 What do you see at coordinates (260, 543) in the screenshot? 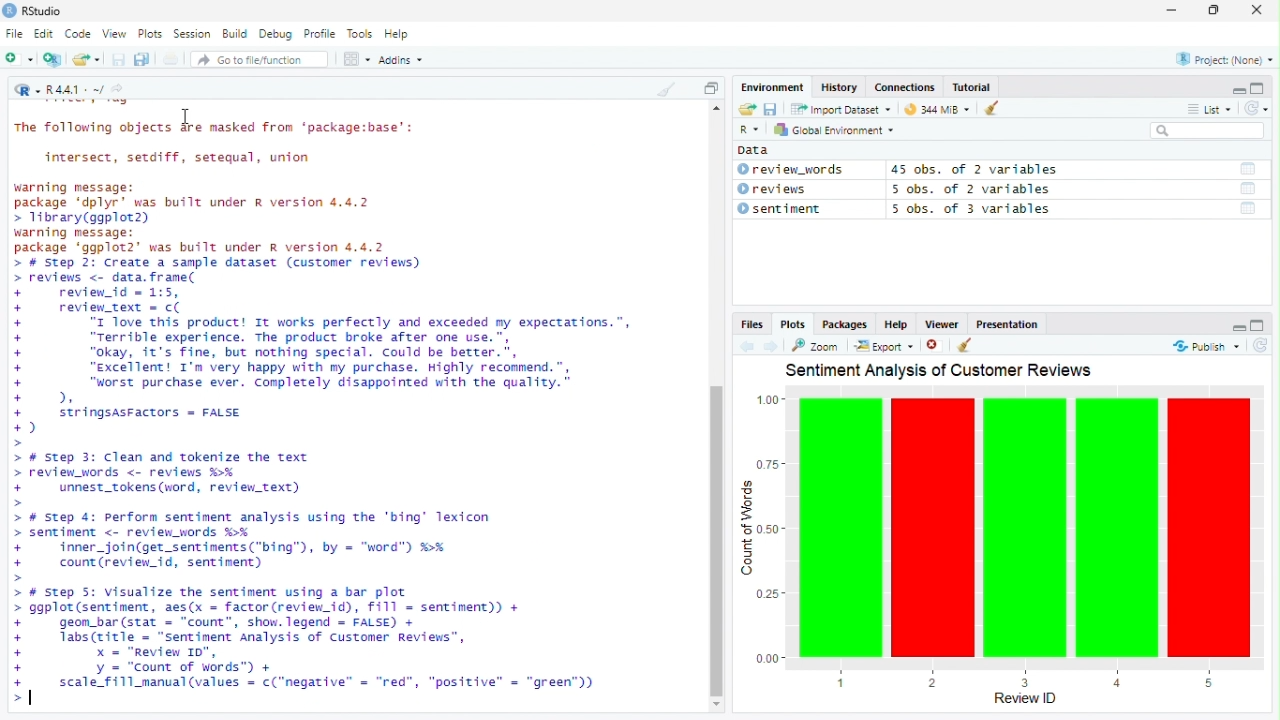
I see `# step 4: perform sentiment analysis using the ‘bing’ lexicon

sentiment <- review words %%
inner_join(get_sentiments("bing"), by = "word") %%
count(revien_id, sentiment)` at bounding box center [260, 543].